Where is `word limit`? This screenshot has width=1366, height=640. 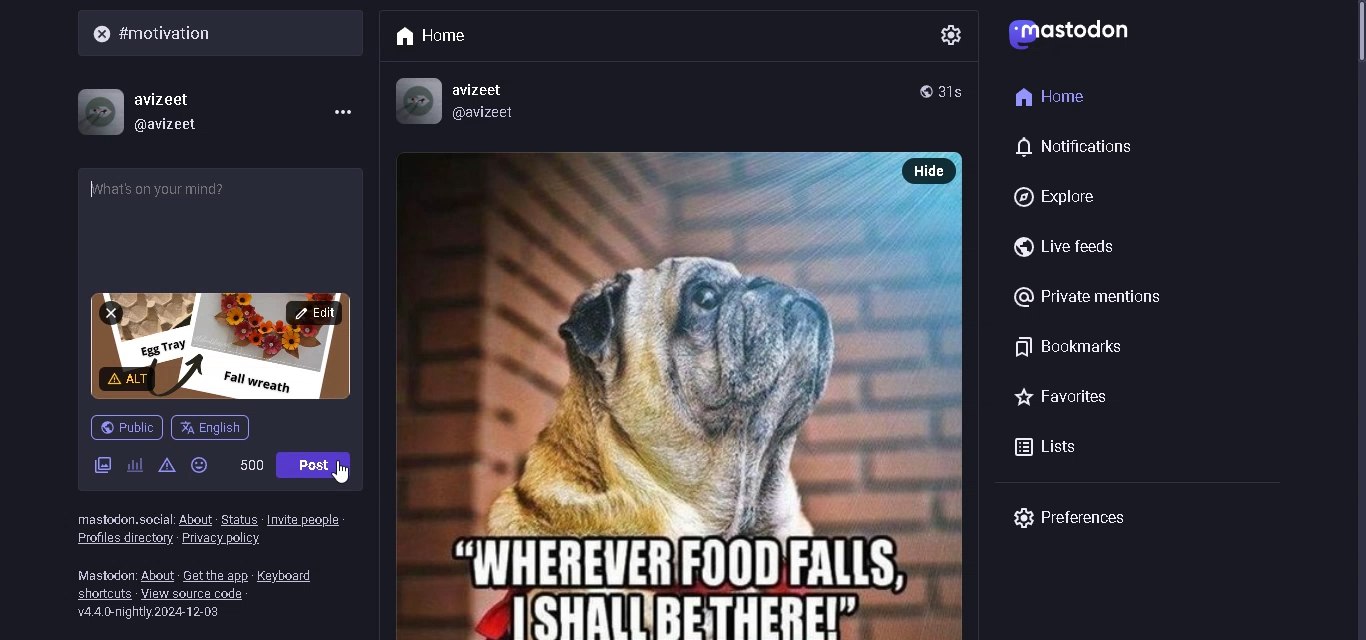
word limit is located at coordinates (252, 465).